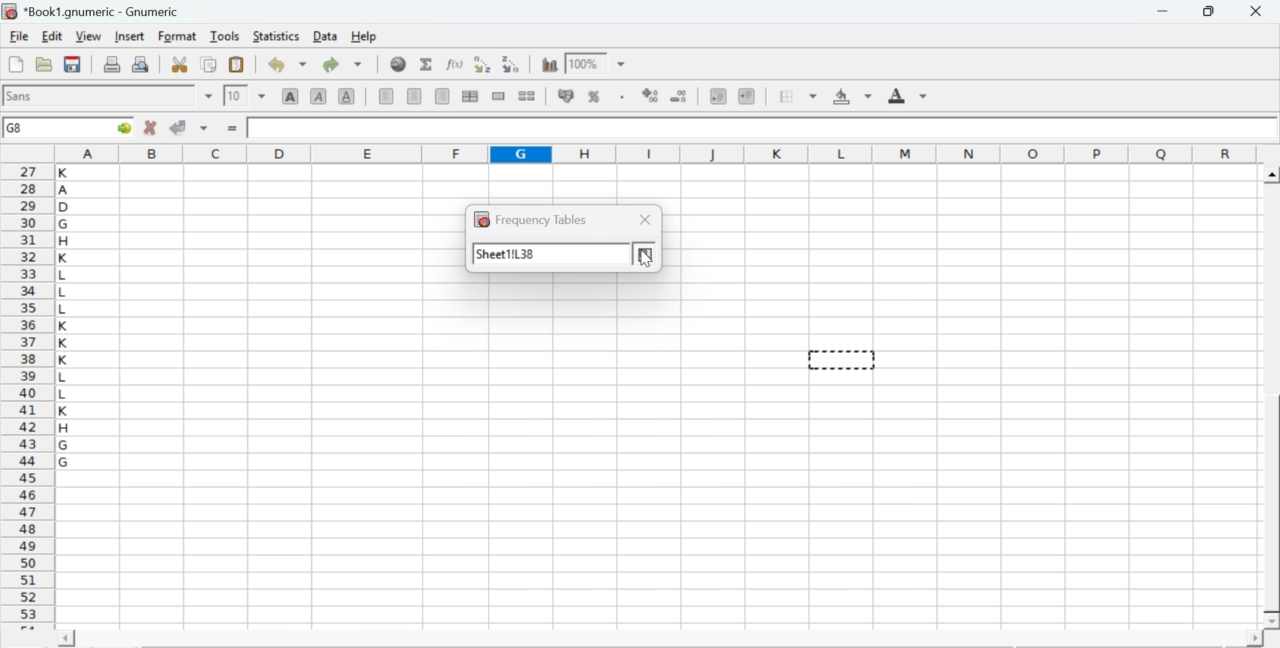 Image resolution: width=1280 pixels, height=648 pixels. Describe the element at coordinates (1254, 11) in the screenshot. I see `close` at that location.